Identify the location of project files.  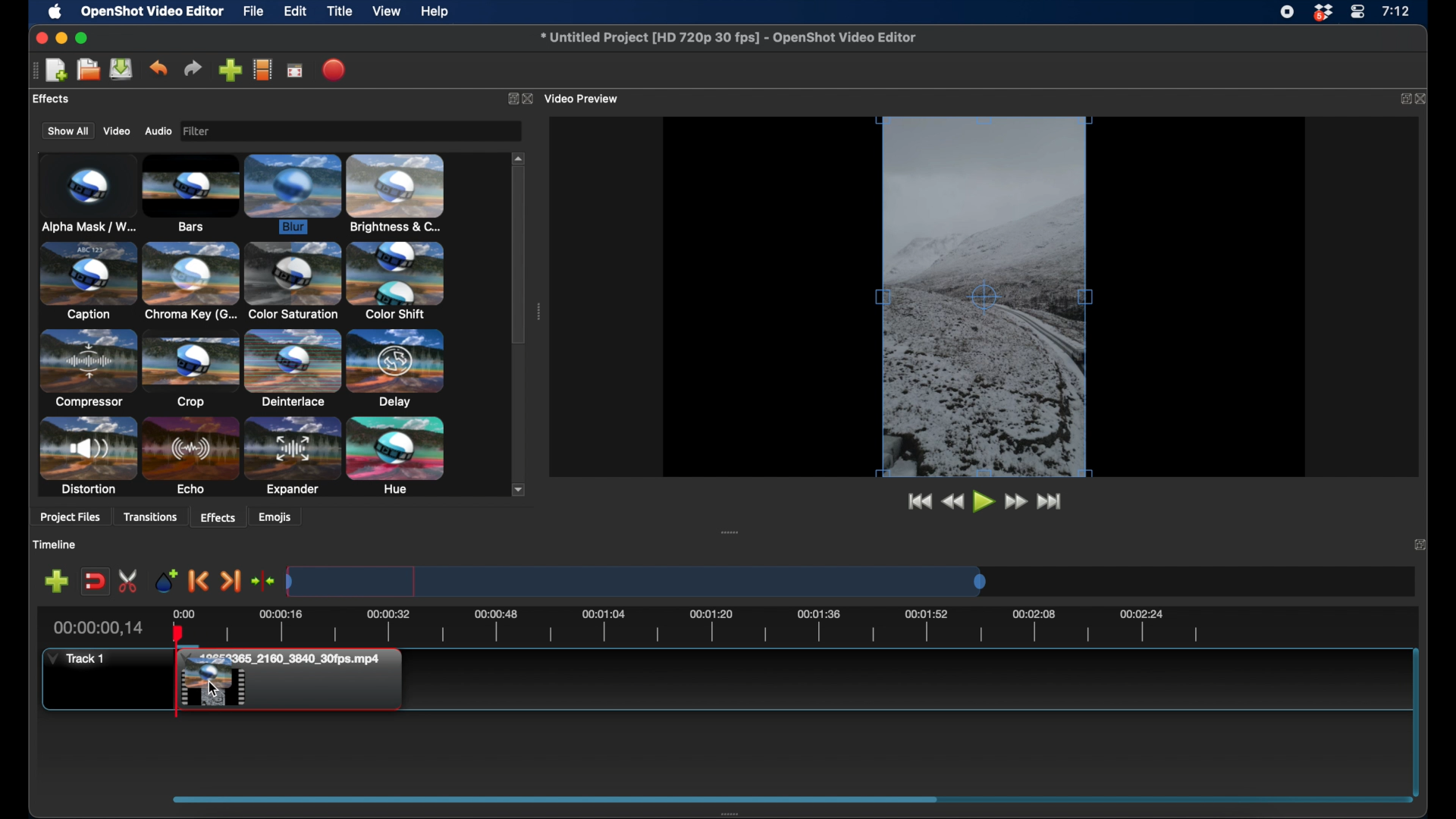
(71, 519).